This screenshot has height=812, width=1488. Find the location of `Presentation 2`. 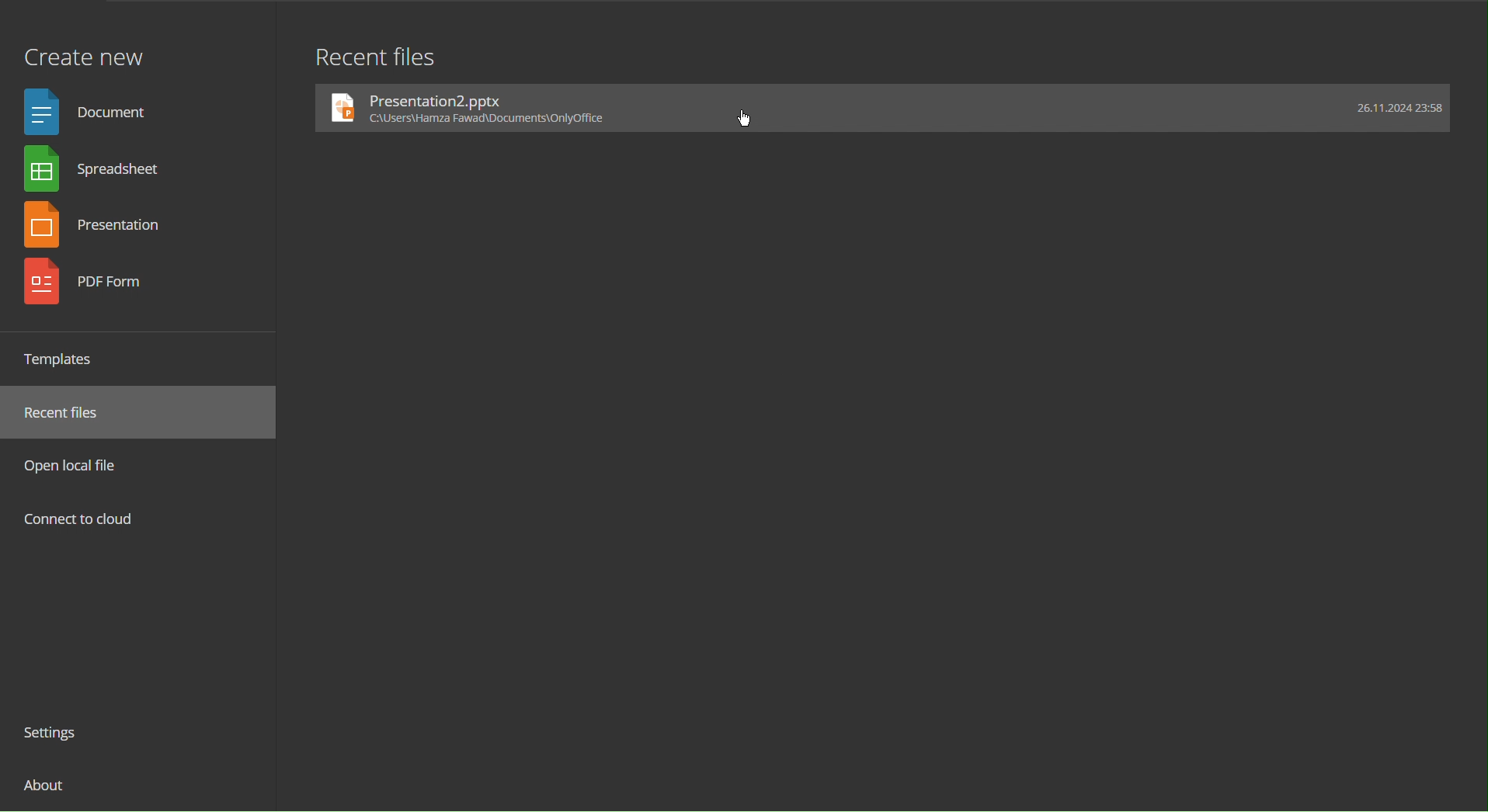

Presentation 2 is located at coordinates (884, 108).